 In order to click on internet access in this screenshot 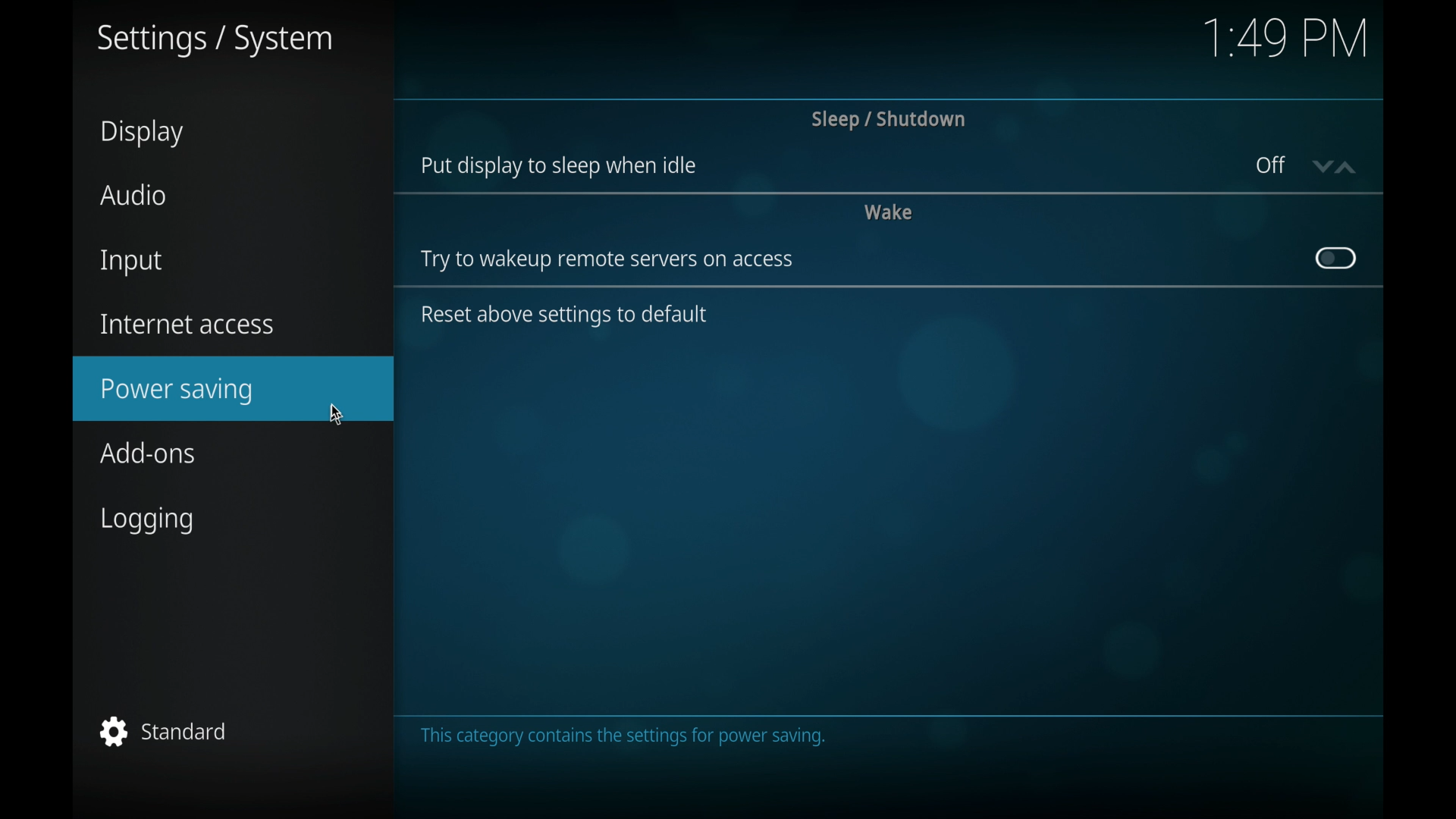, I will do `click(187, 323)`.